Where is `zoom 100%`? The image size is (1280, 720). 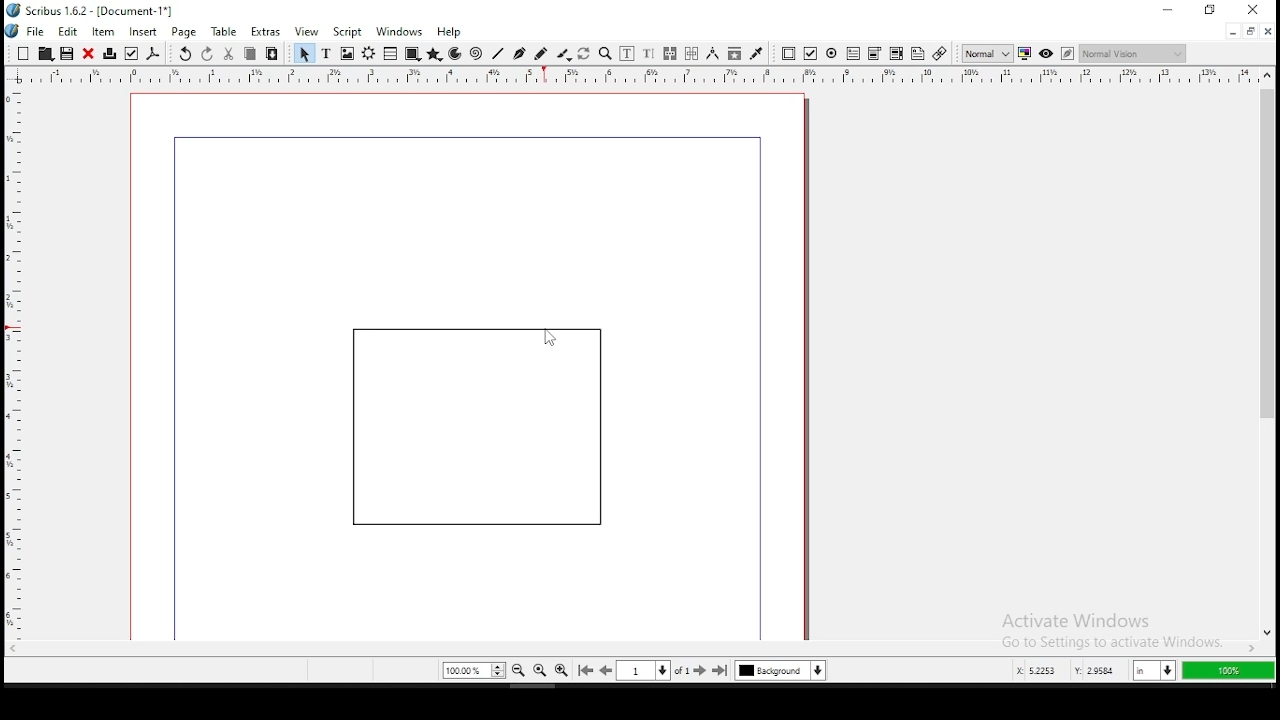
zoom 100% is located at coordinates (540, 670).